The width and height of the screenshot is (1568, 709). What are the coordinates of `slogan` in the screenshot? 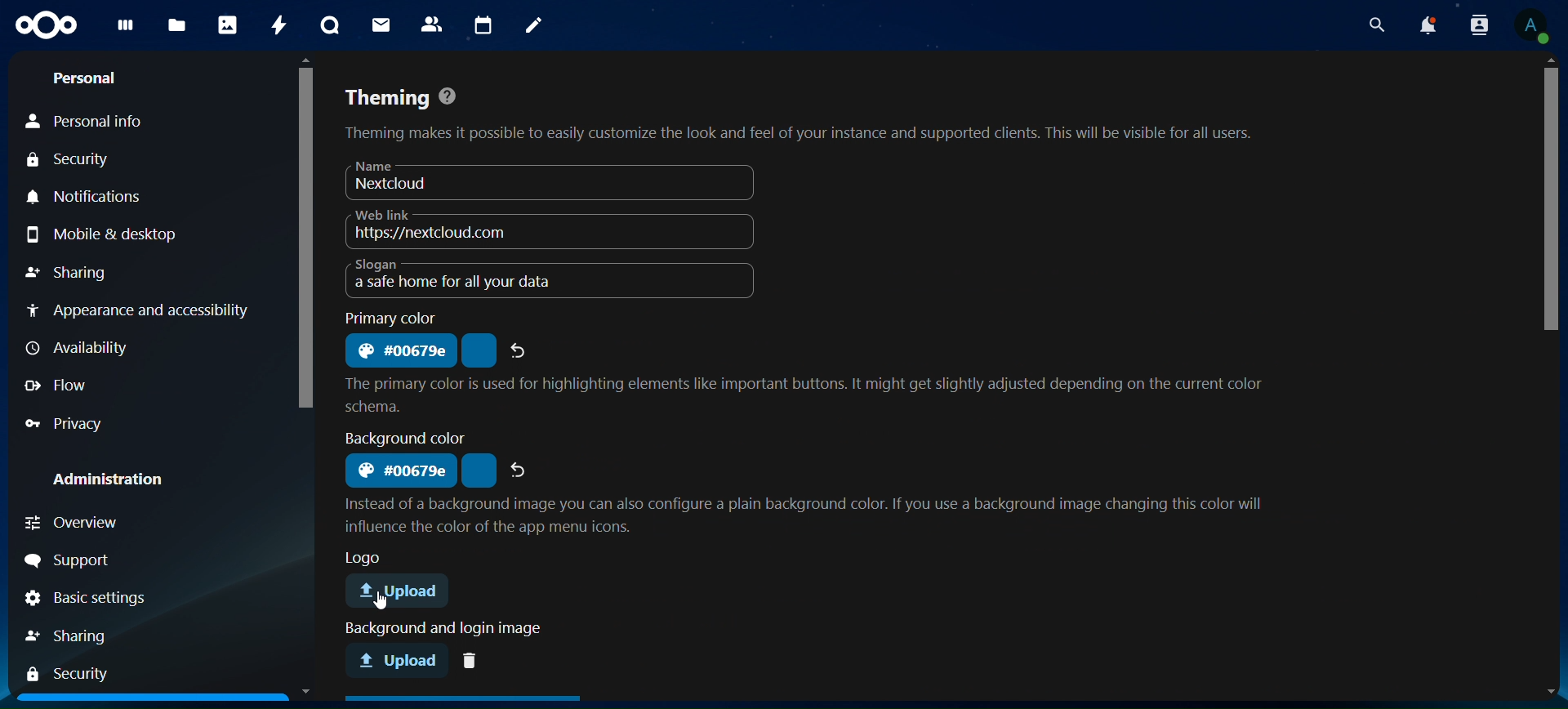 It's located at (506, 279).